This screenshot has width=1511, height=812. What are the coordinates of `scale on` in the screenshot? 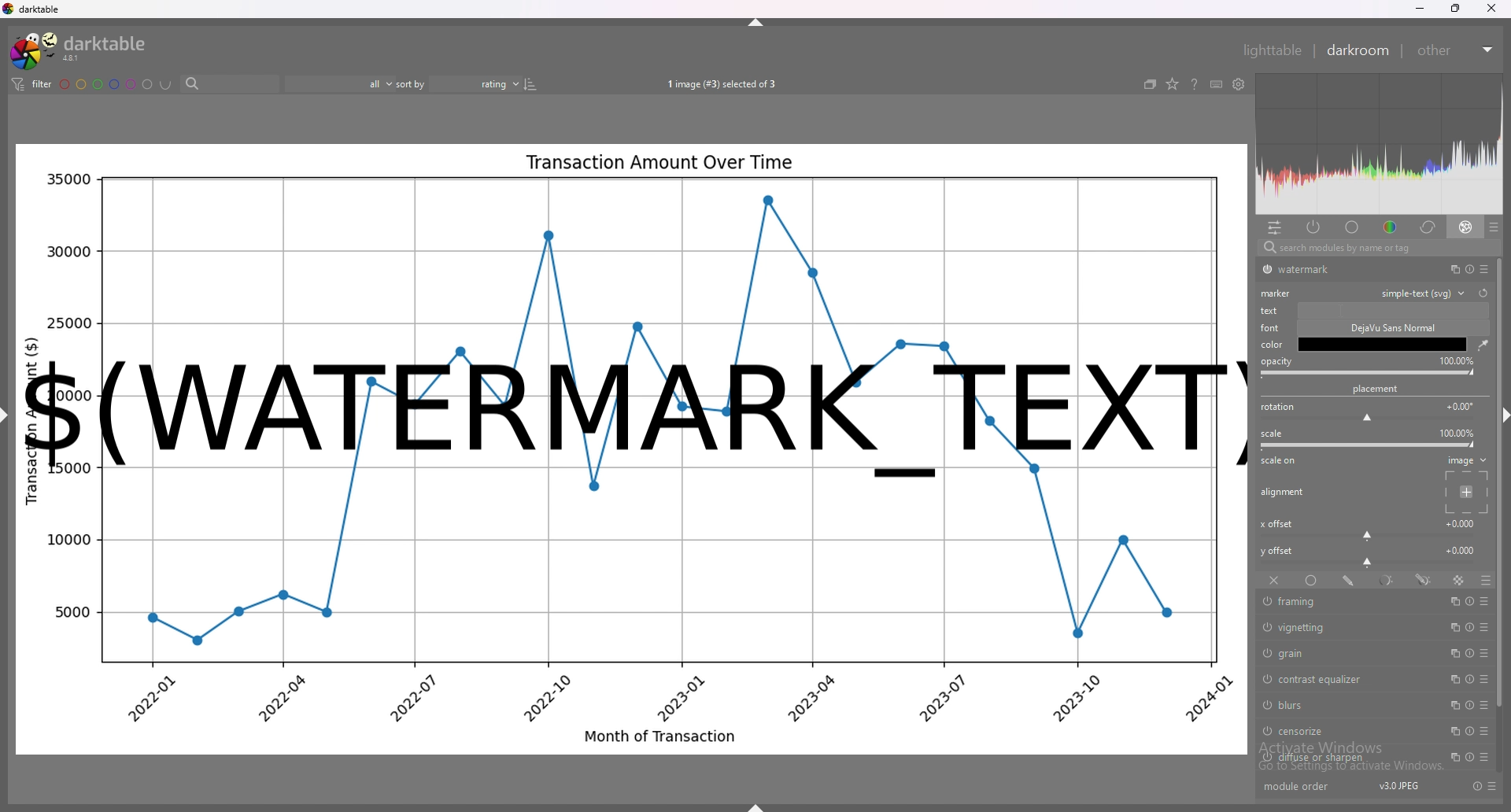 It's located at (1280, 463).